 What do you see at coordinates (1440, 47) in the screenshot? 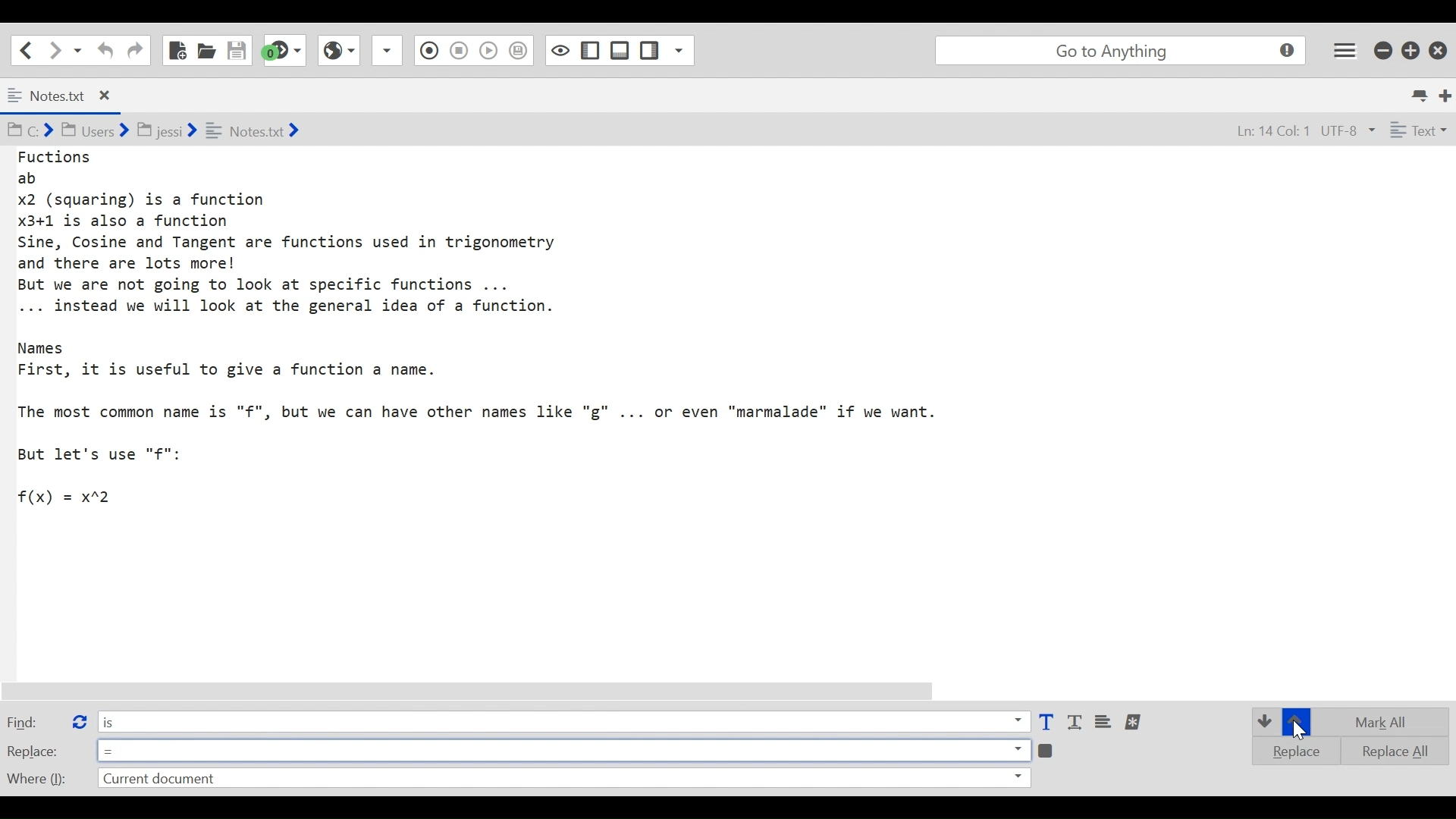
I see `Close` at bounding box center [1440, 47].